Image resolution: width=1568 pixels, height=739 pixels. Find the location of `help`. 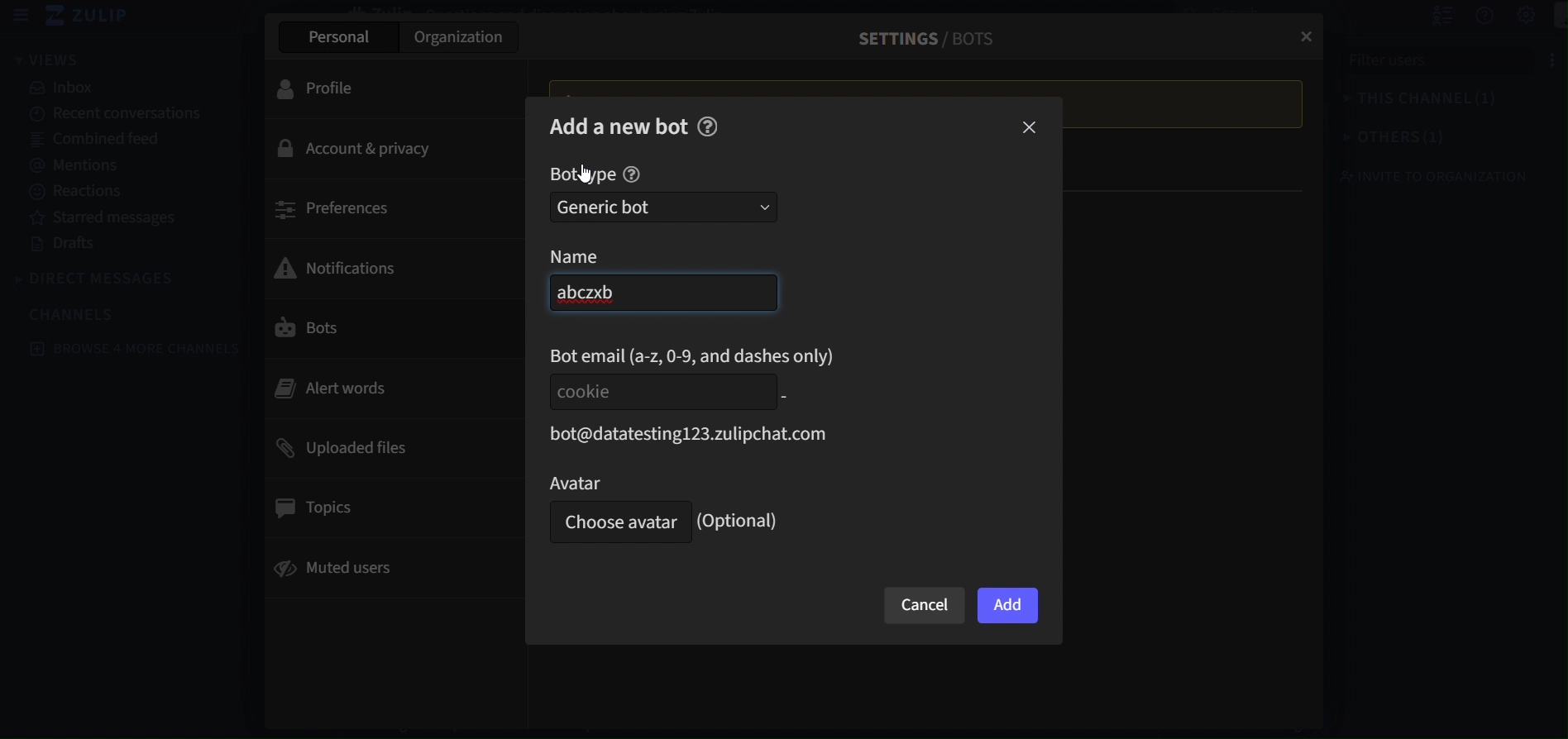

help is located at coordinates (632, 175).